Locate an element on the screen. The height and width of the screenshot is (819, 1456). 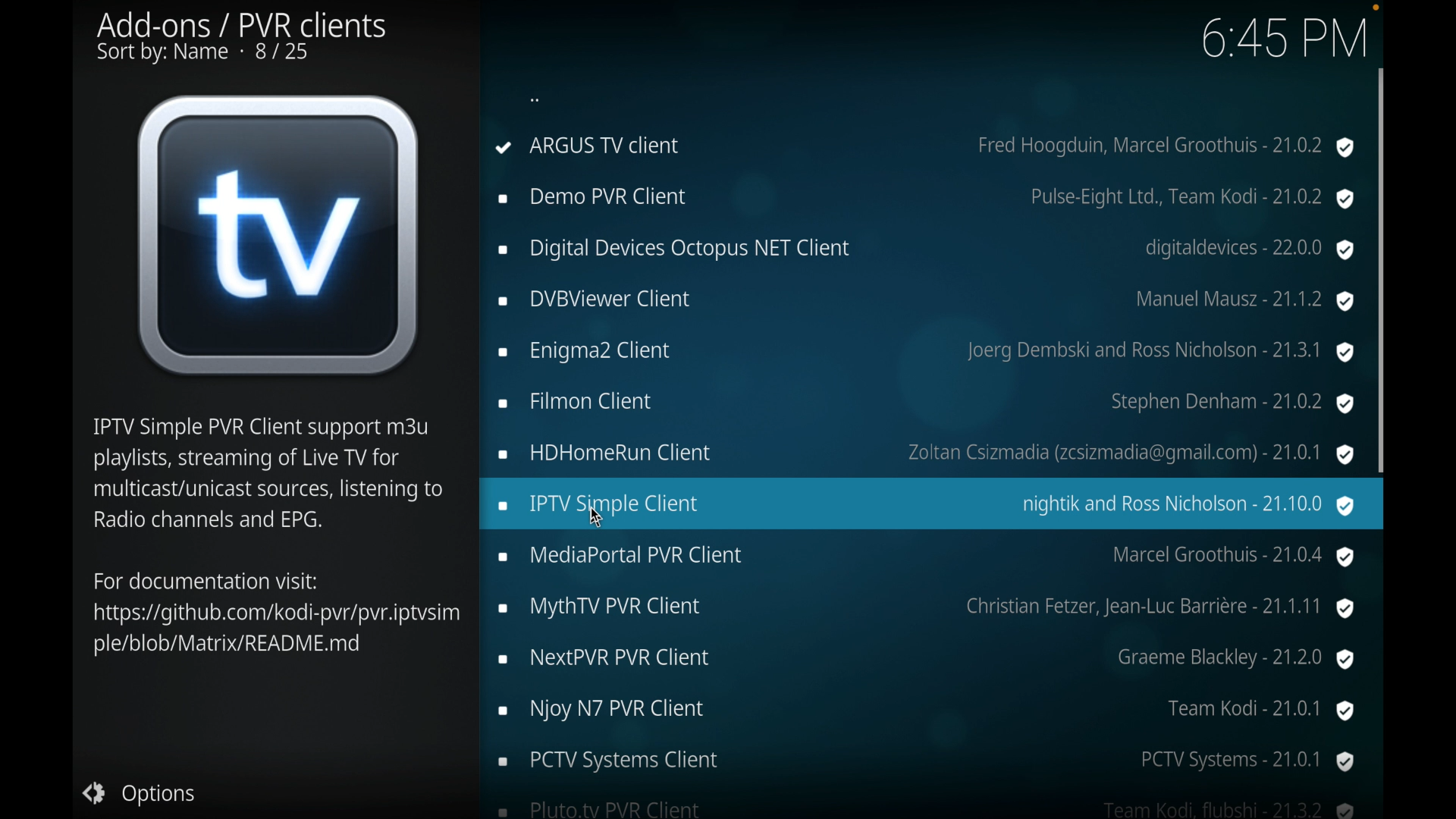
add-ons/ pvr clients is located at coordinates (244, 38).